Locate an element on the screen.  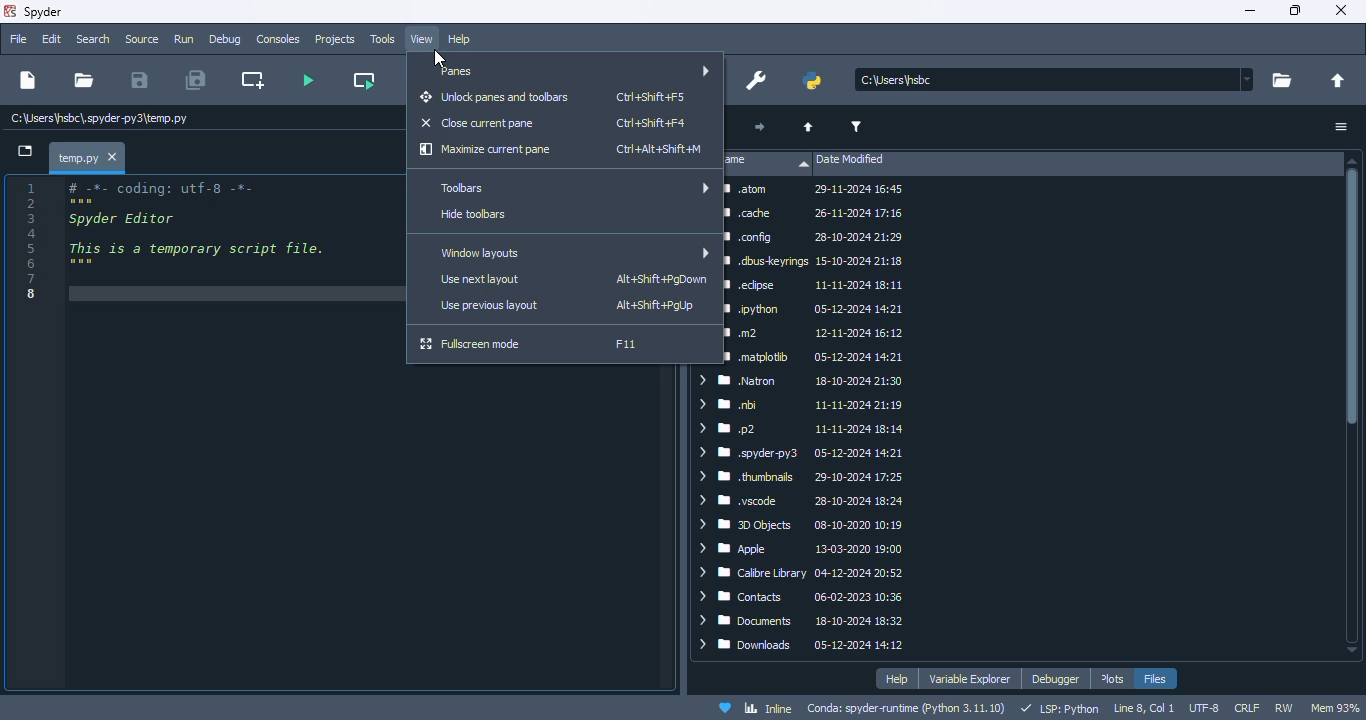
minimize is located at coordinates (1248, 11).